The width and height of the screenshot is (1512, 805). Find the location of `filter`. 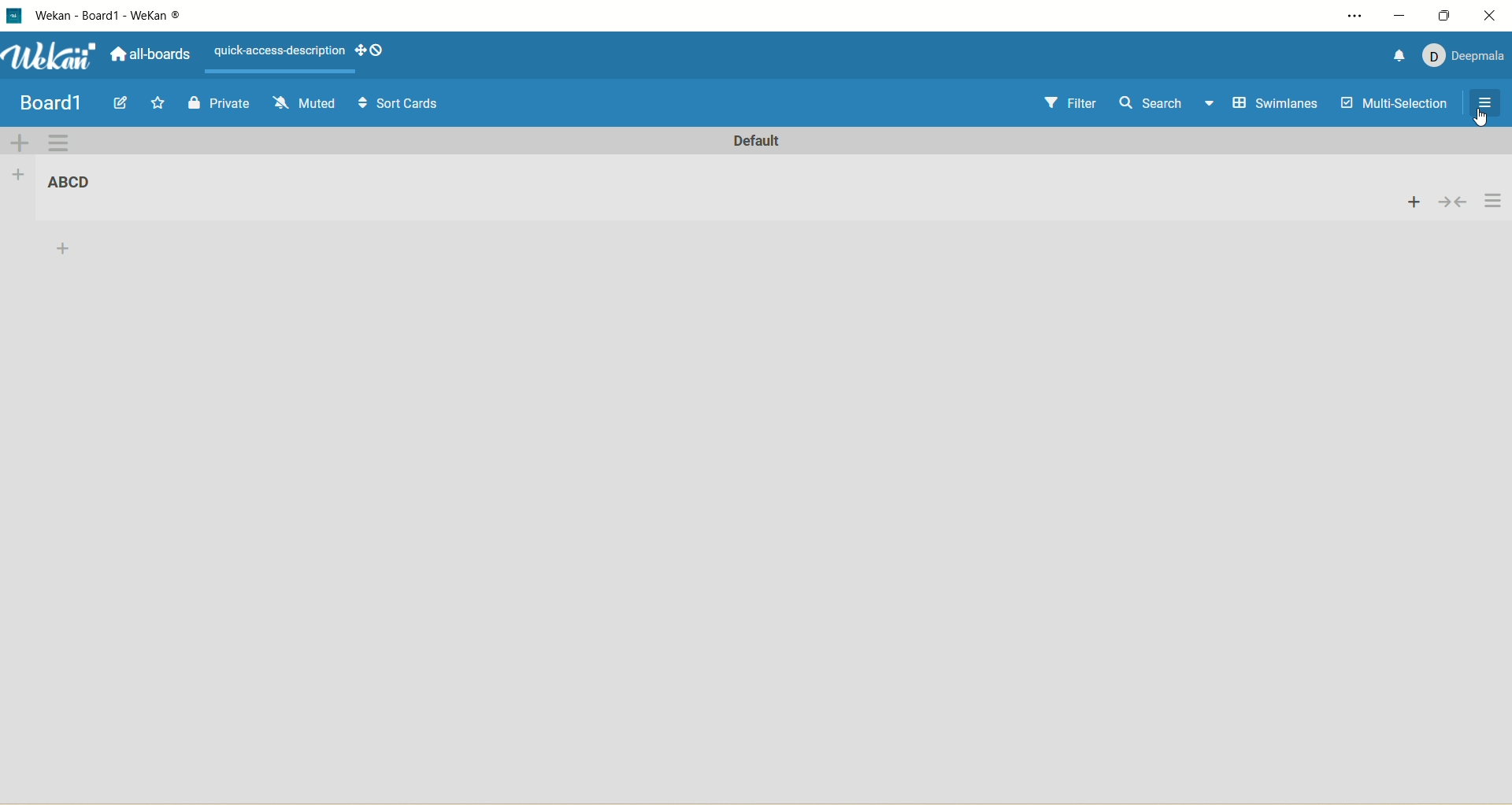

filter is located at coordinates (1069, 104).